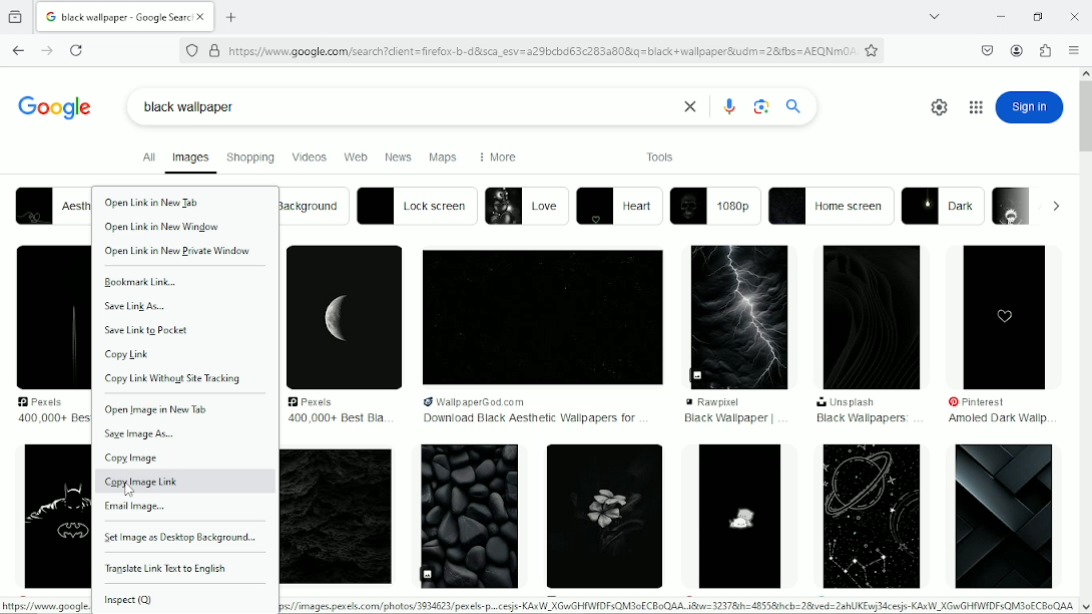  Describe the element at coordinates (399, 157) in the screenshot. I see `news` at that location.